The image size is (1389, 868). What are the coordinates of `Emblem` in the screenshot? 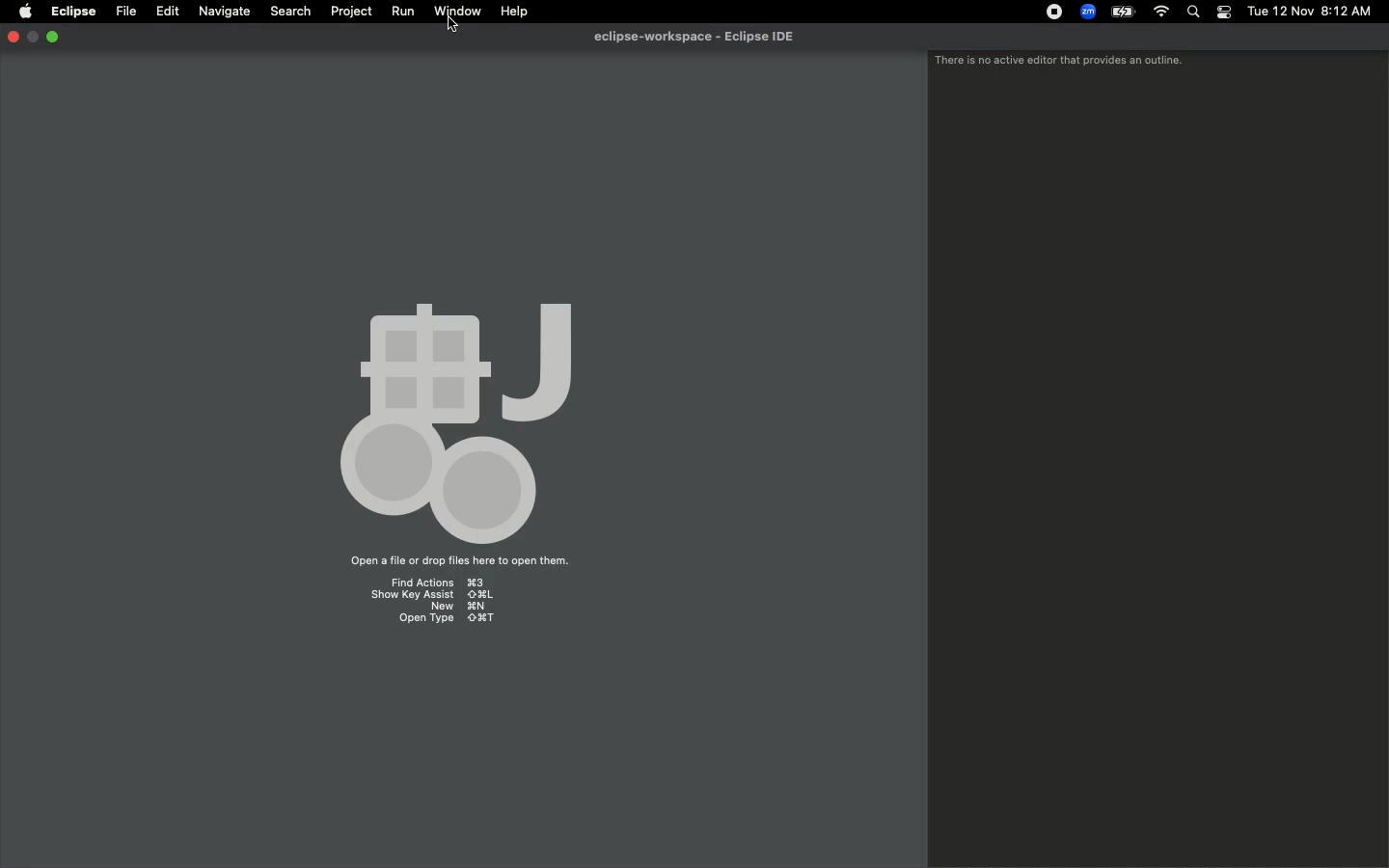 It's located at (455, 417).